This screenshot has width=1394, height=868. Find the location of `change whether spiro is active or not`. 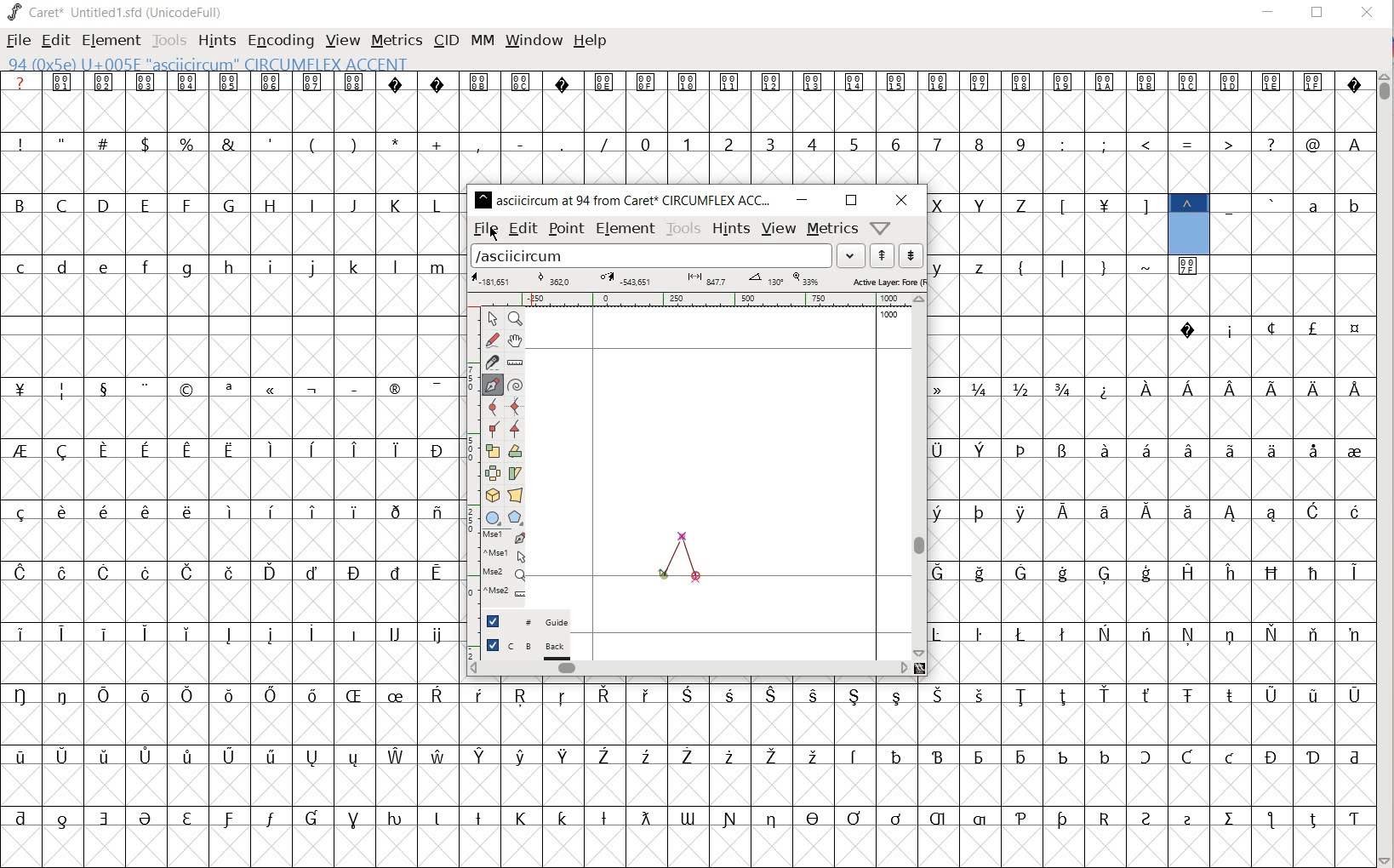

change whether spiro is active or not is located at coordinates (517, 385).